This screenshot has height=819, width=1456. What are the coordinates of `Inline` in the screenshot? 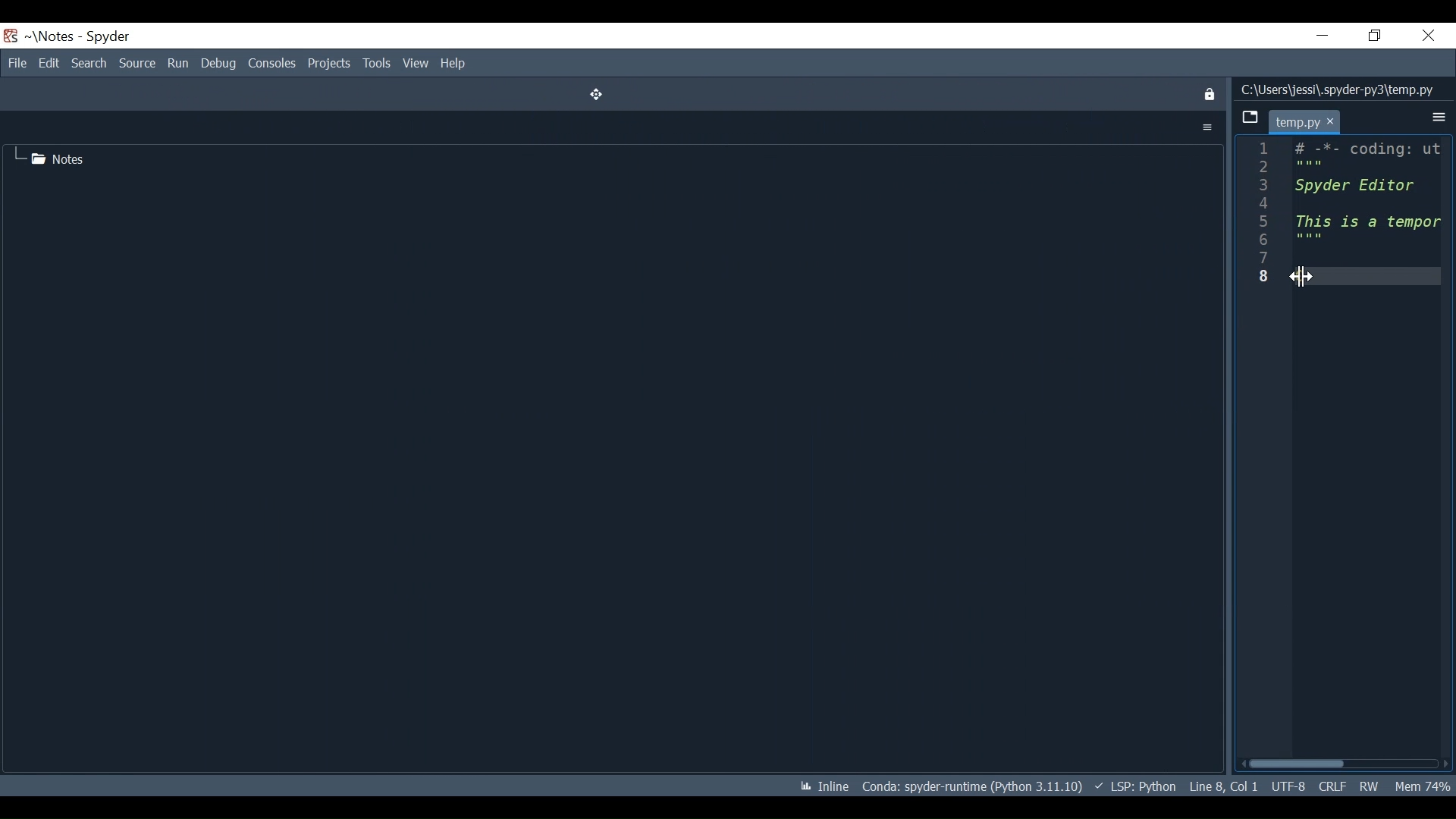 It's located at (820, 784).